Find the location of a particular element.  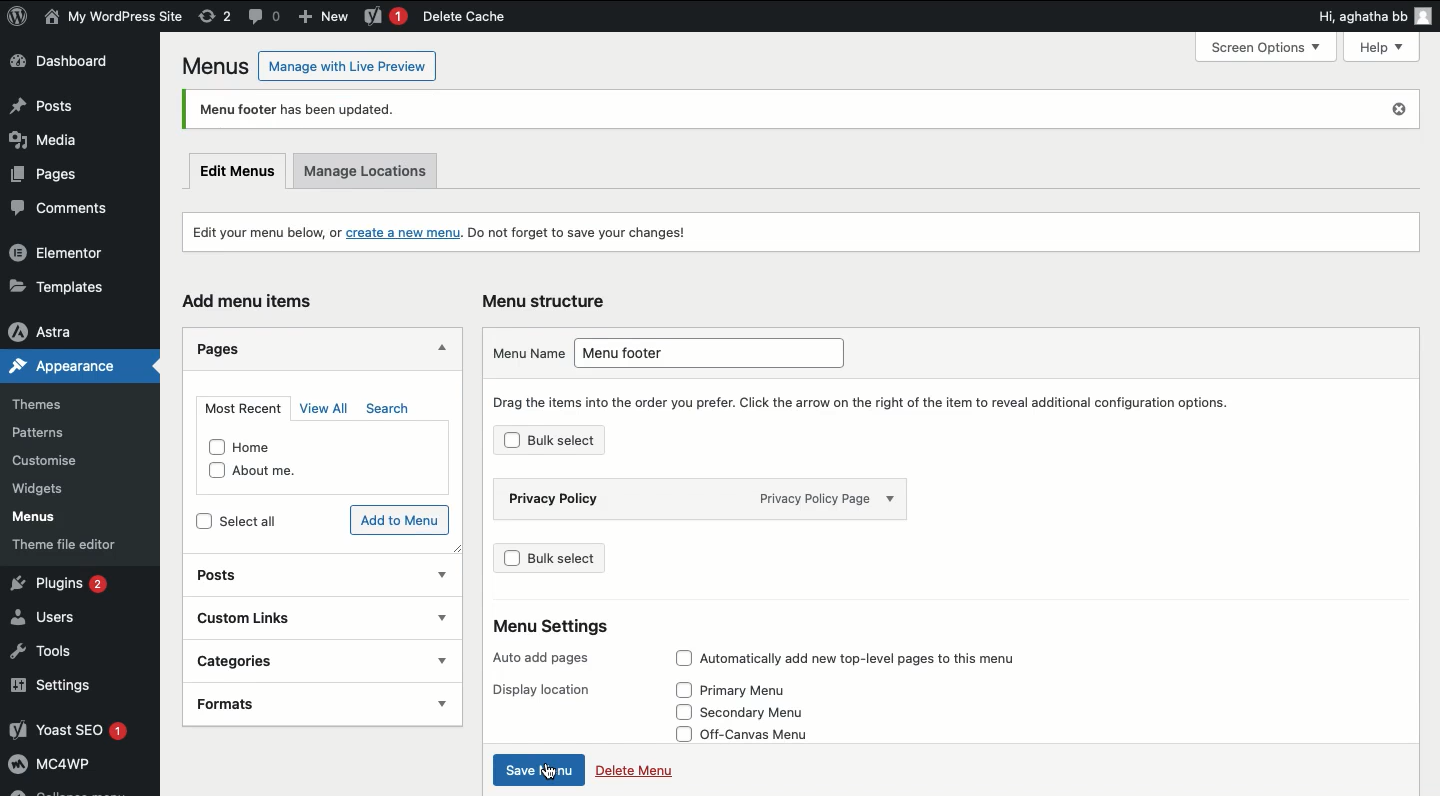

Menu footer has been updated. is located at coordinates (800, 109).